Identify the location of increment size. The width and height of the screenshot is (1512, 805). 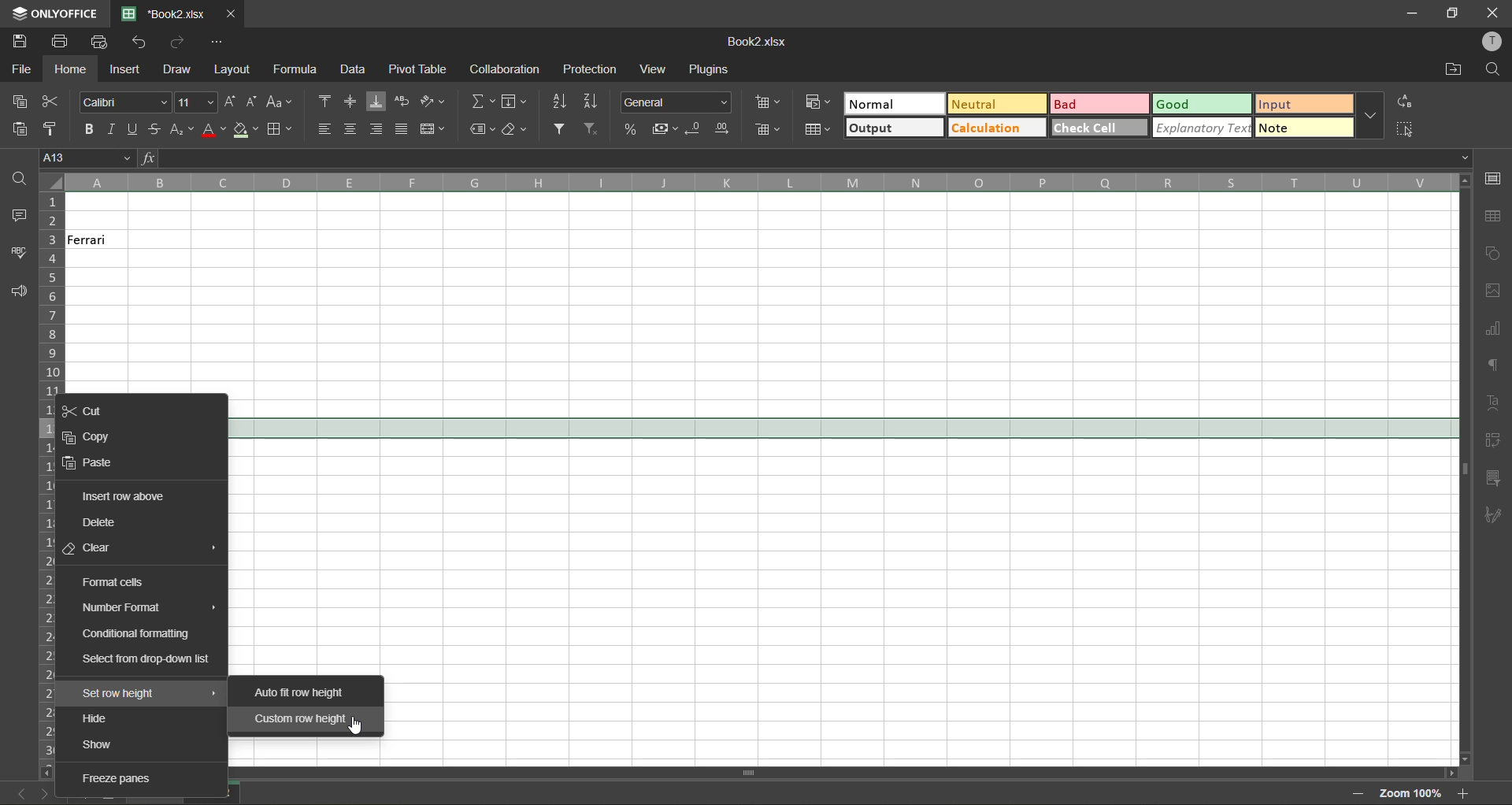
(230, 102).